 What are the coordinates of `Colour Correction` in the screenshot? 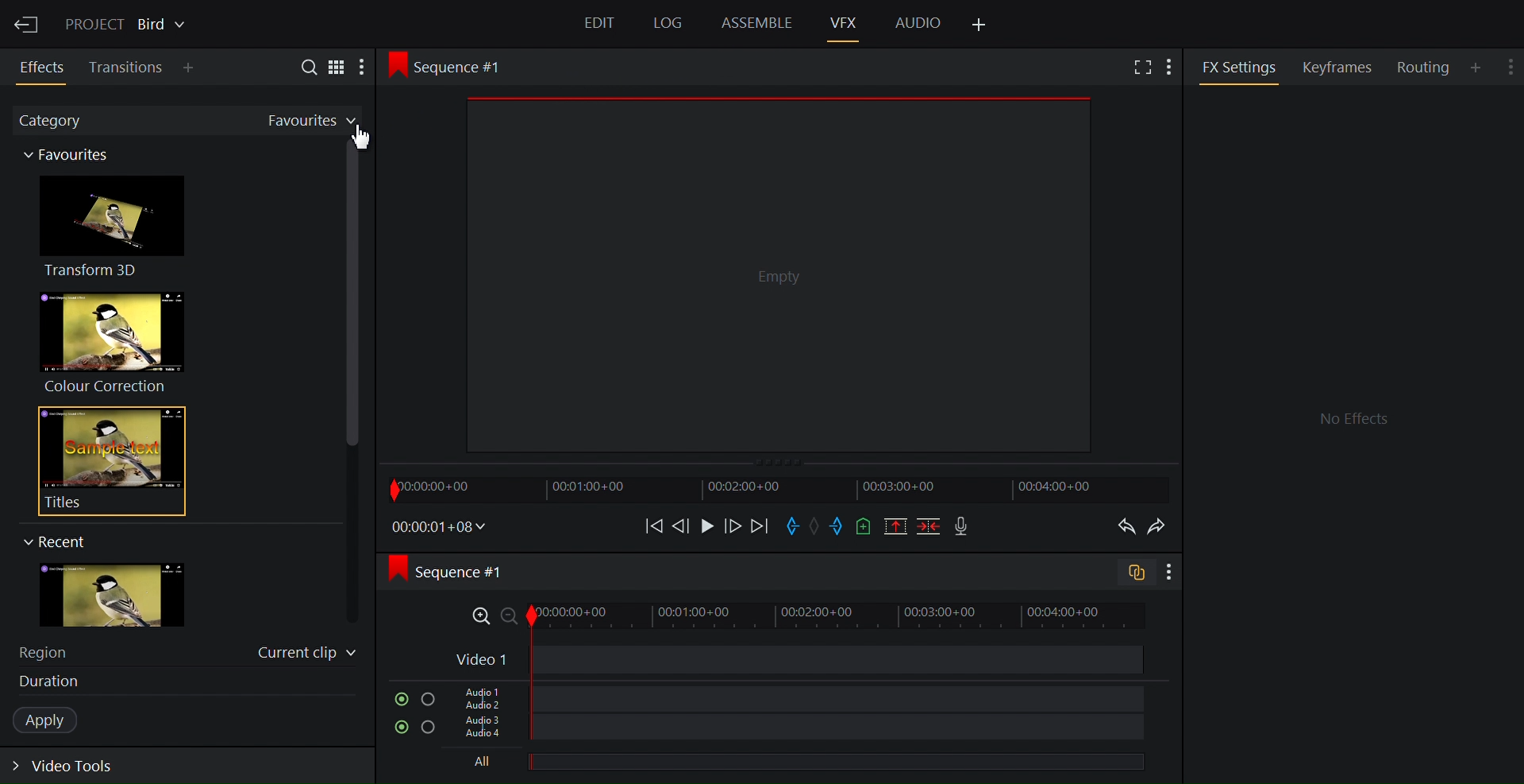 It's located at (119, 340).